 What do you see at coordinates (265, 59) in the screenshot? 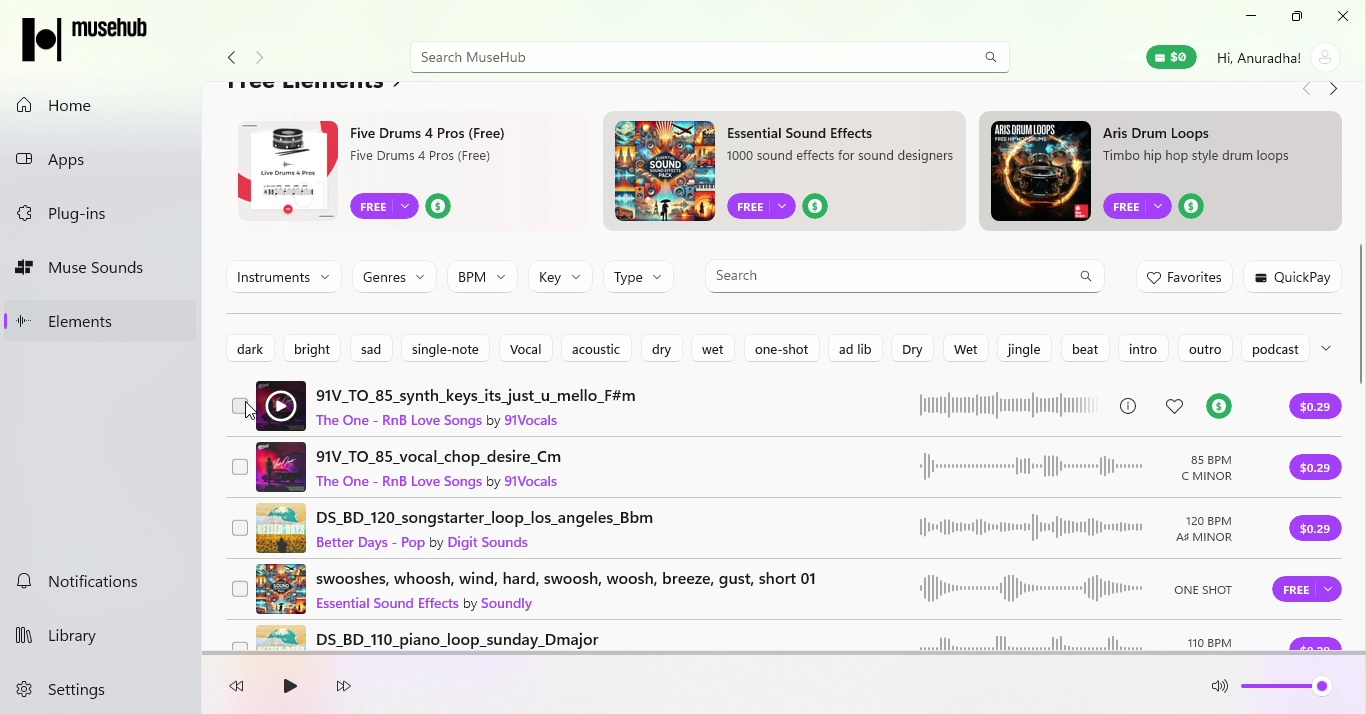
I see `Navigate forward` at bounding box center [265, 59].